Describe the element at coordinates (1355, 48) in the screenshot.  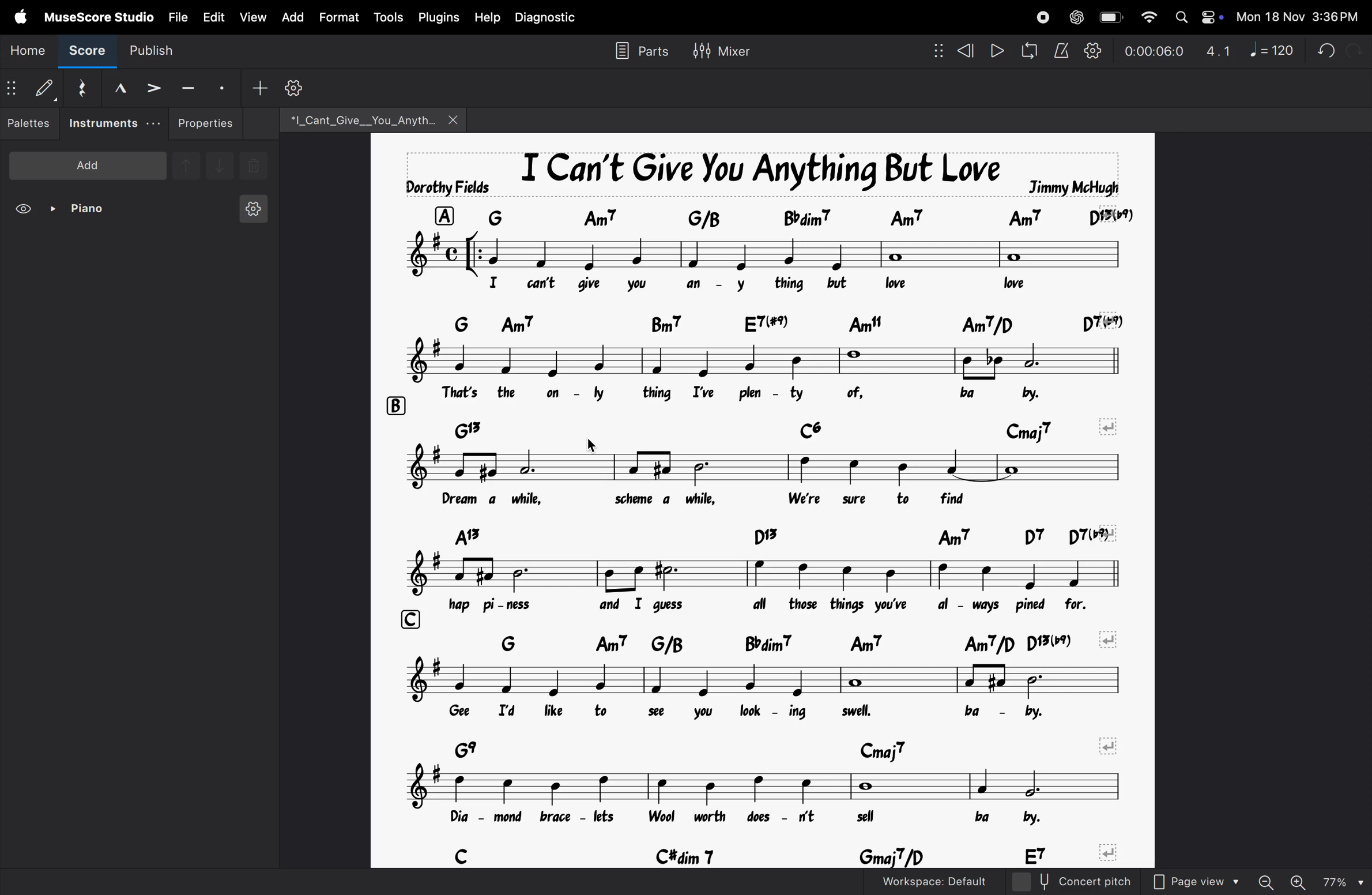
I see `redo` at that location.